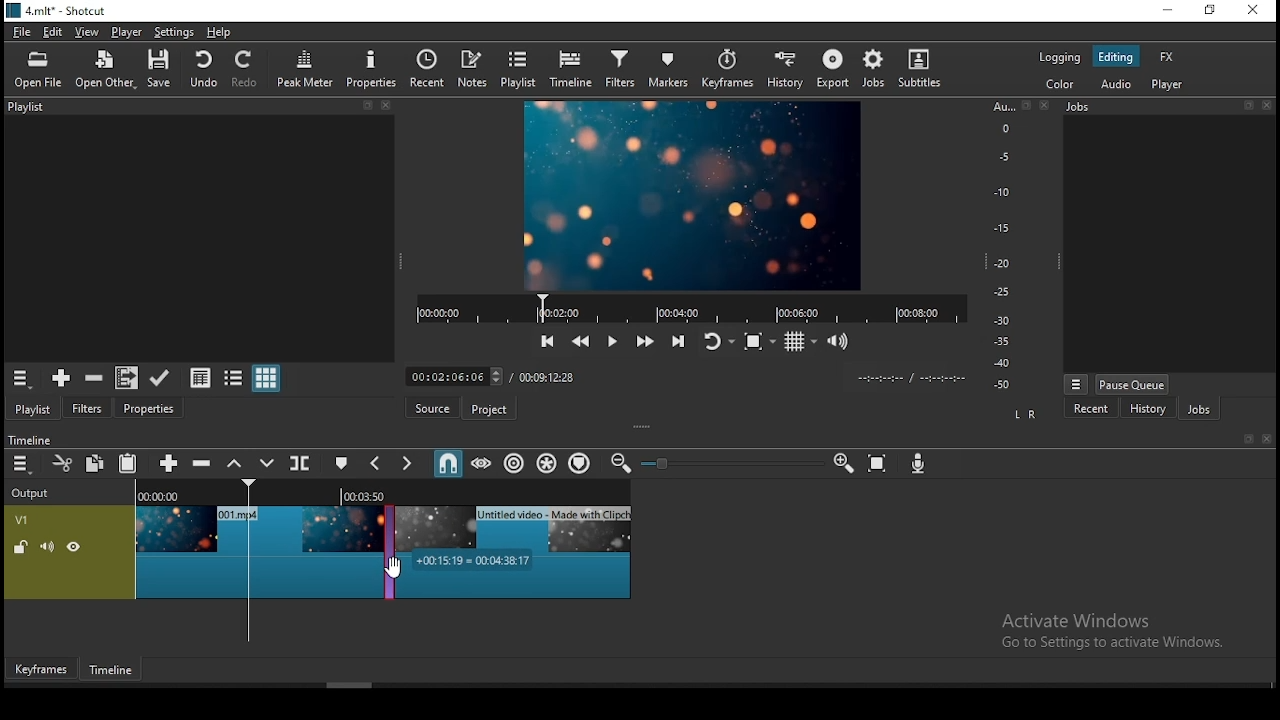 Image resolution: width=1280 pixels, height=720 pixels. Describe the element at coordinates (1243, 439) in the screenshot. I see `bookmark` at that location.